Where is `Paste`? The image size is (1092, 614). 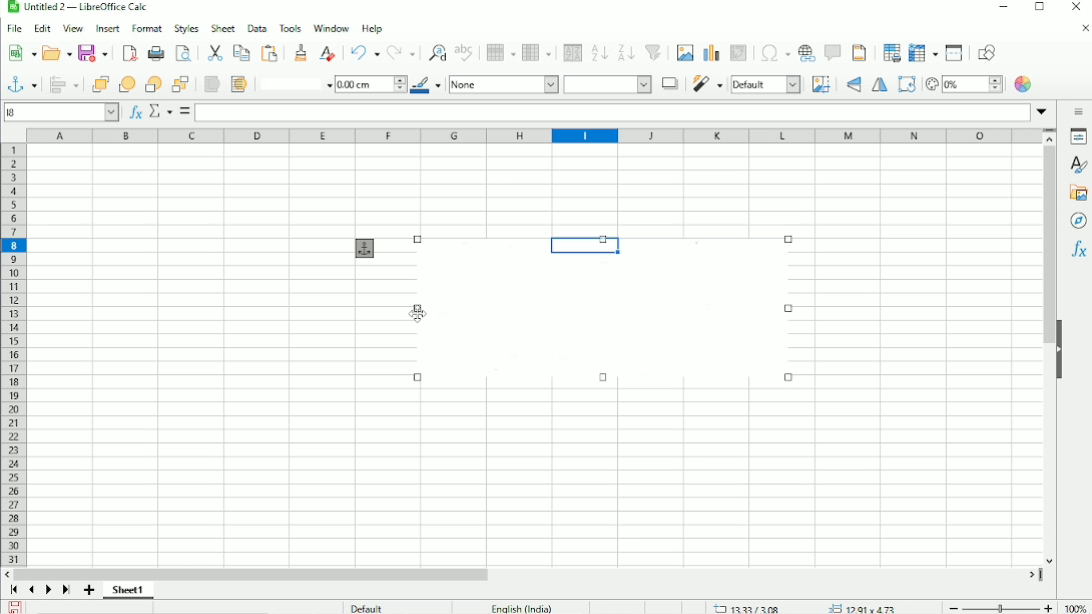 Paste is located at coordinates (271, 53).